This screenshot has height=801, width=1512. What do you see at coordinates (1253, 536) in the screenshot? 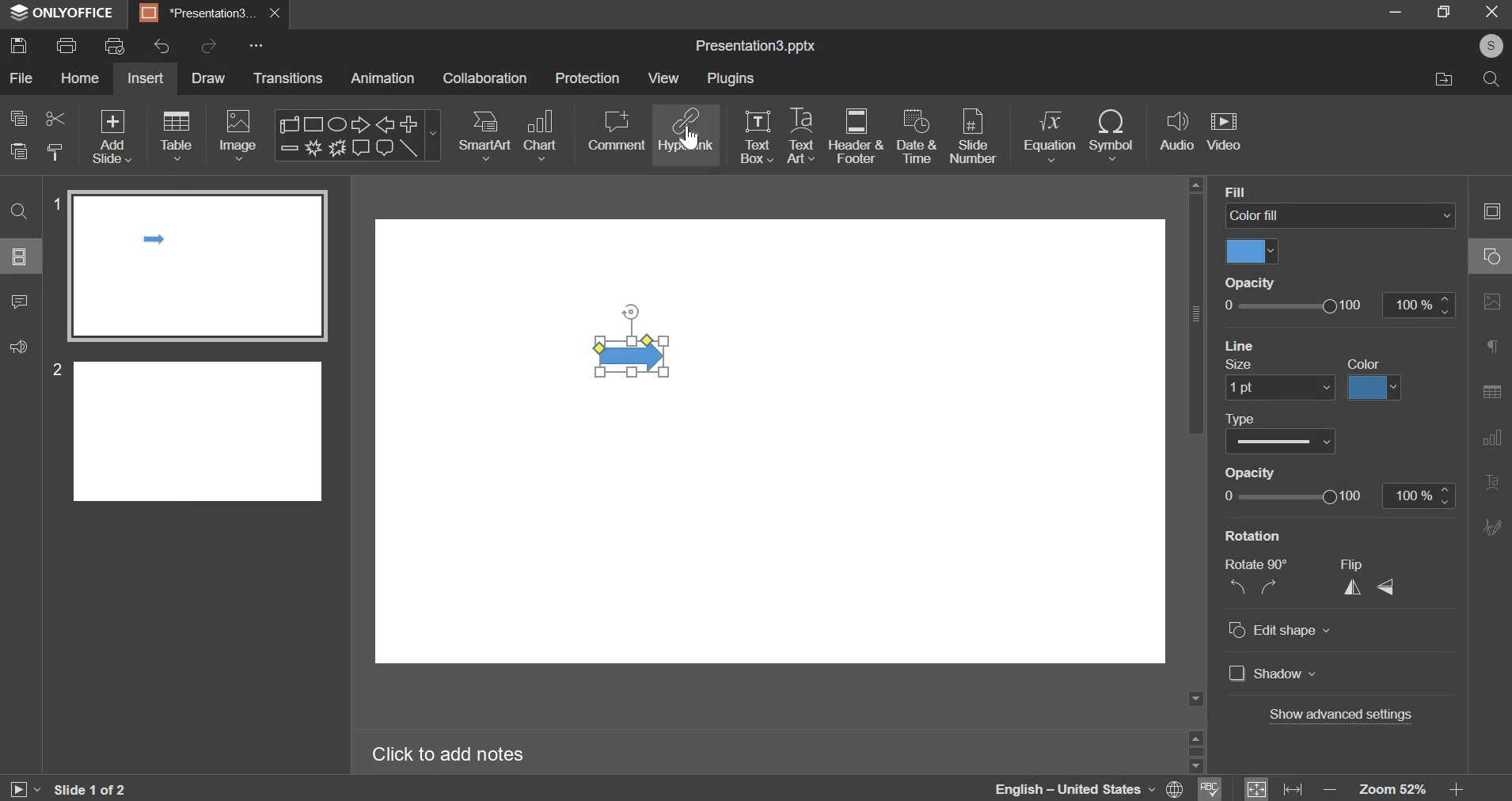
I see `rotation` at bounding box center [1253, 536].